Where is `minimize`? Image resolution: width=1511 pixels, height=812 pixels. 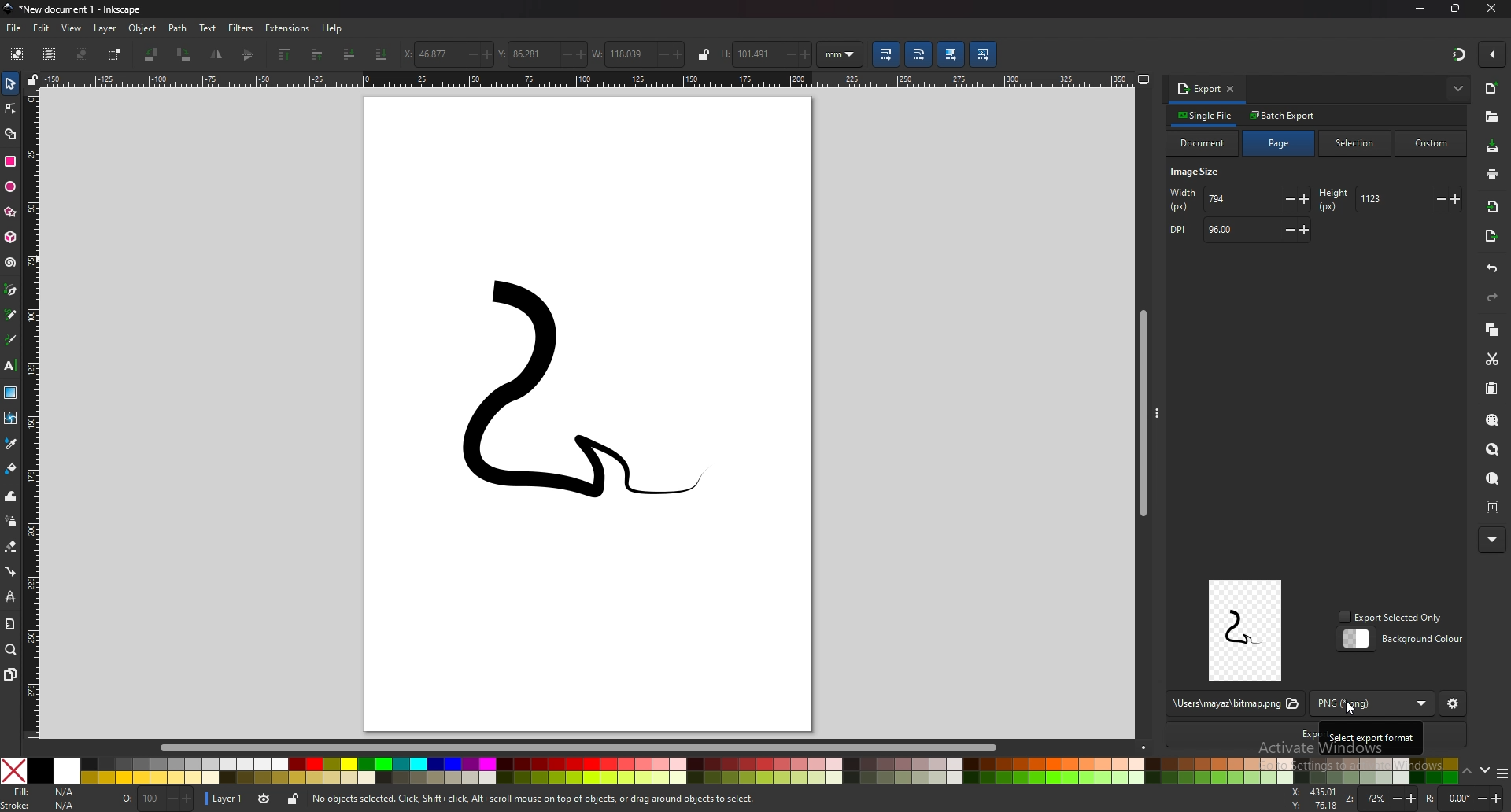 minimize is located at coordinates (1418, 9).